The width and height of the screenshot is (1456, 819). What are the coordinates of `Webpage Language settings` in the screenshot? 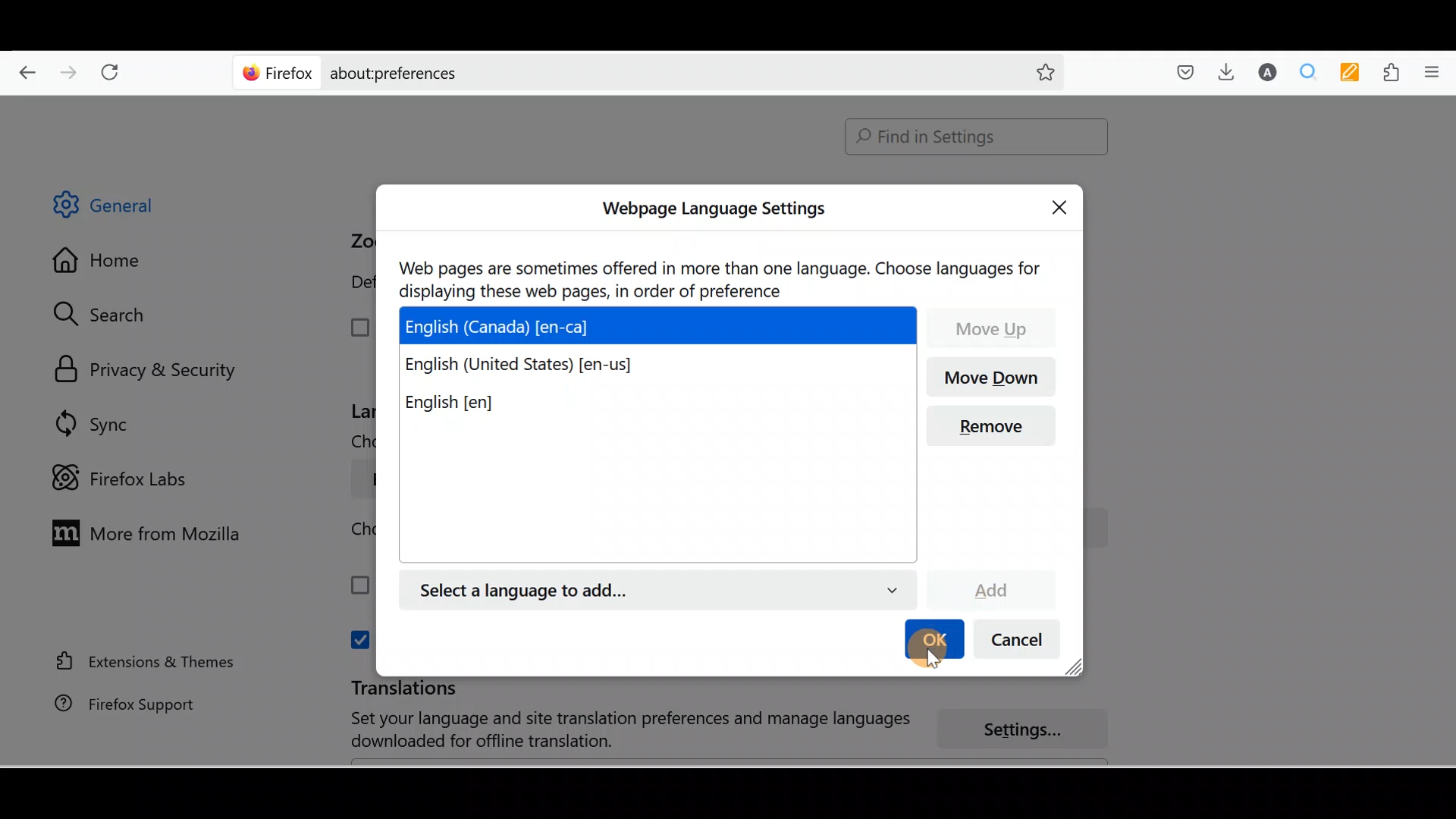 It's located at (711, 209).